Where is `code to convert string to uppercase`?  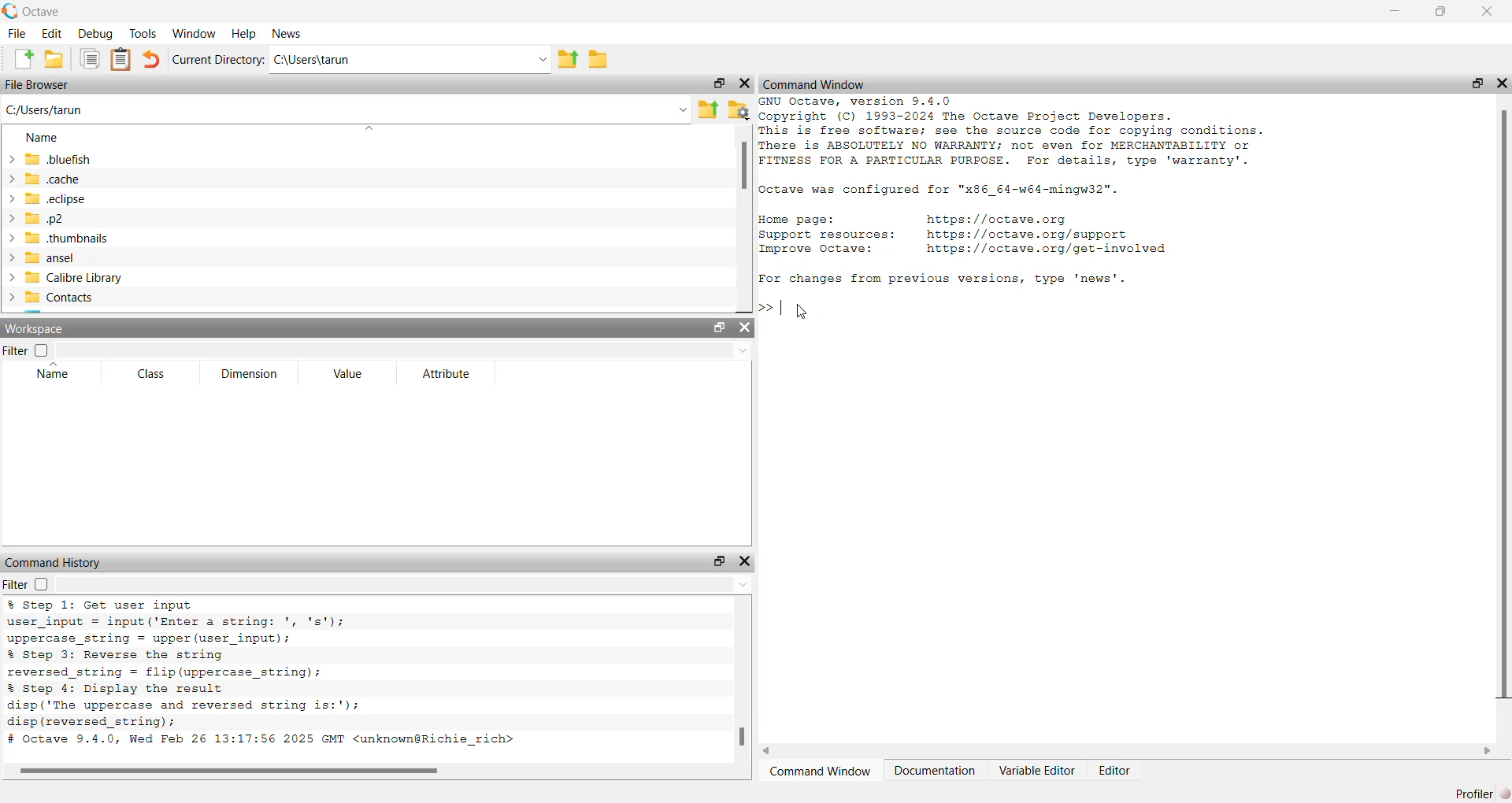
code to convert string to uppercase is located at coordinates (198, 622).